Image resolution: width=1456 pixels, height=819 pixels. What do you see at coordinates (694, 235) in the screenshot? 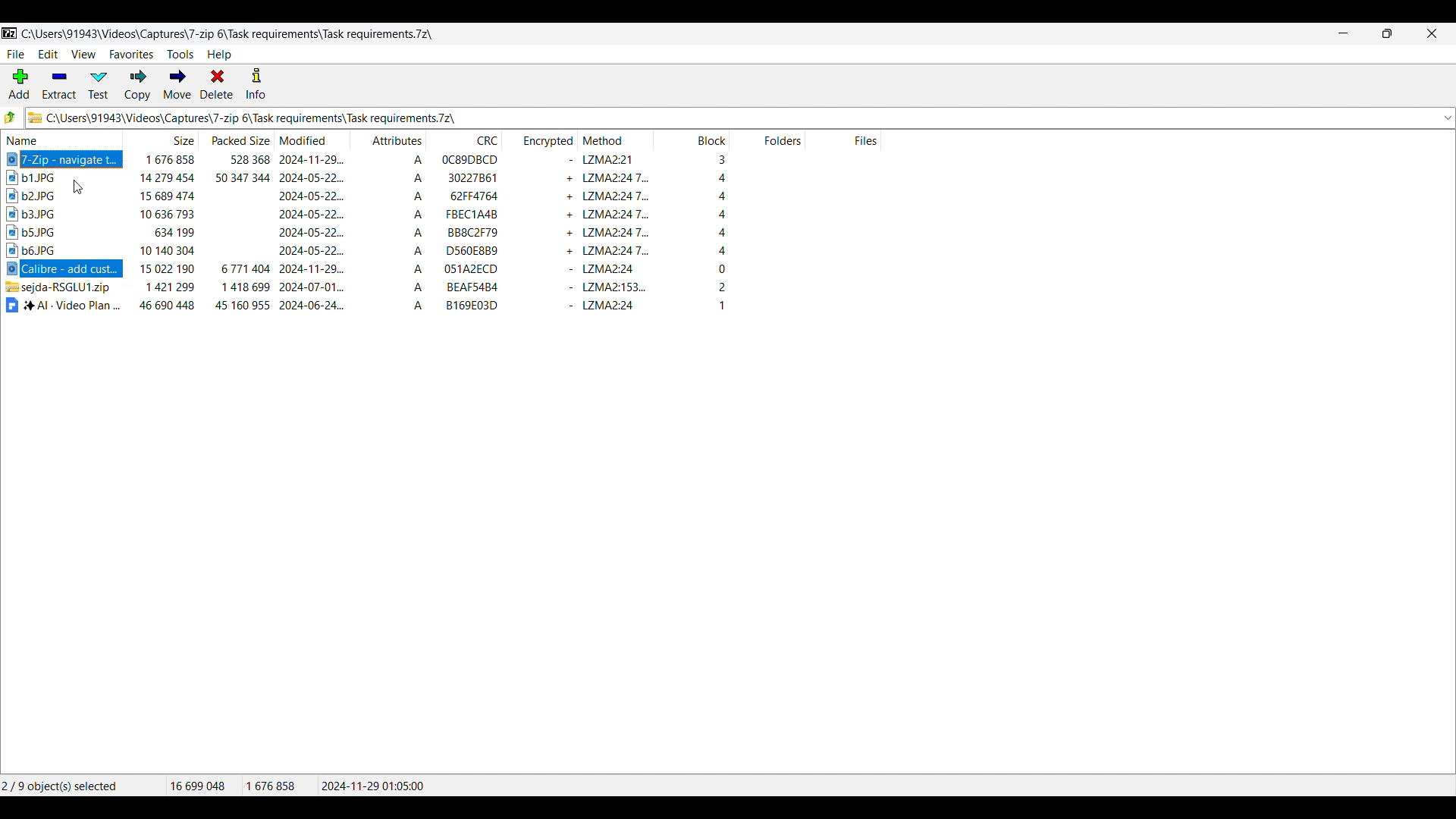
I see `block` at bounding box center [694, 235].